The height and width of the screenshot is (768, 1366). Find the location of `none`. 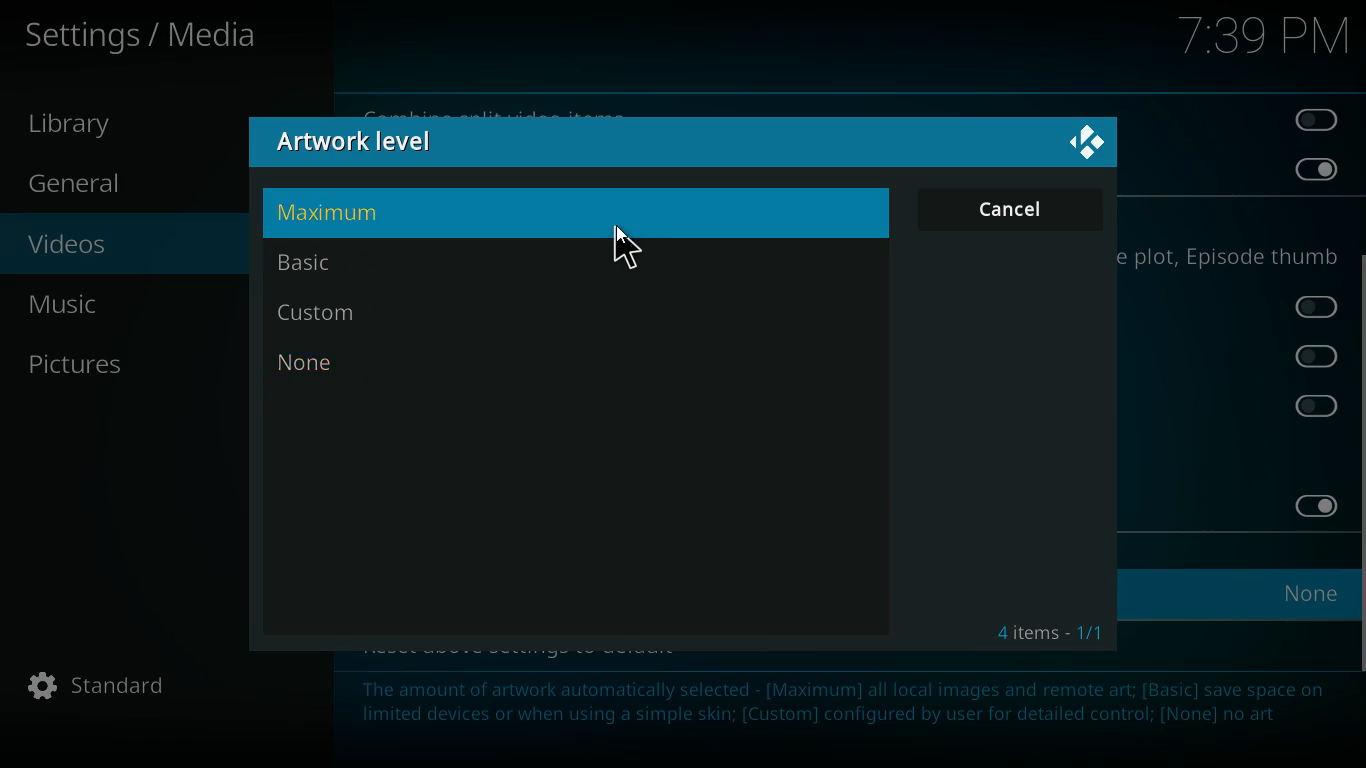

none is located at coordinates (547, 365).